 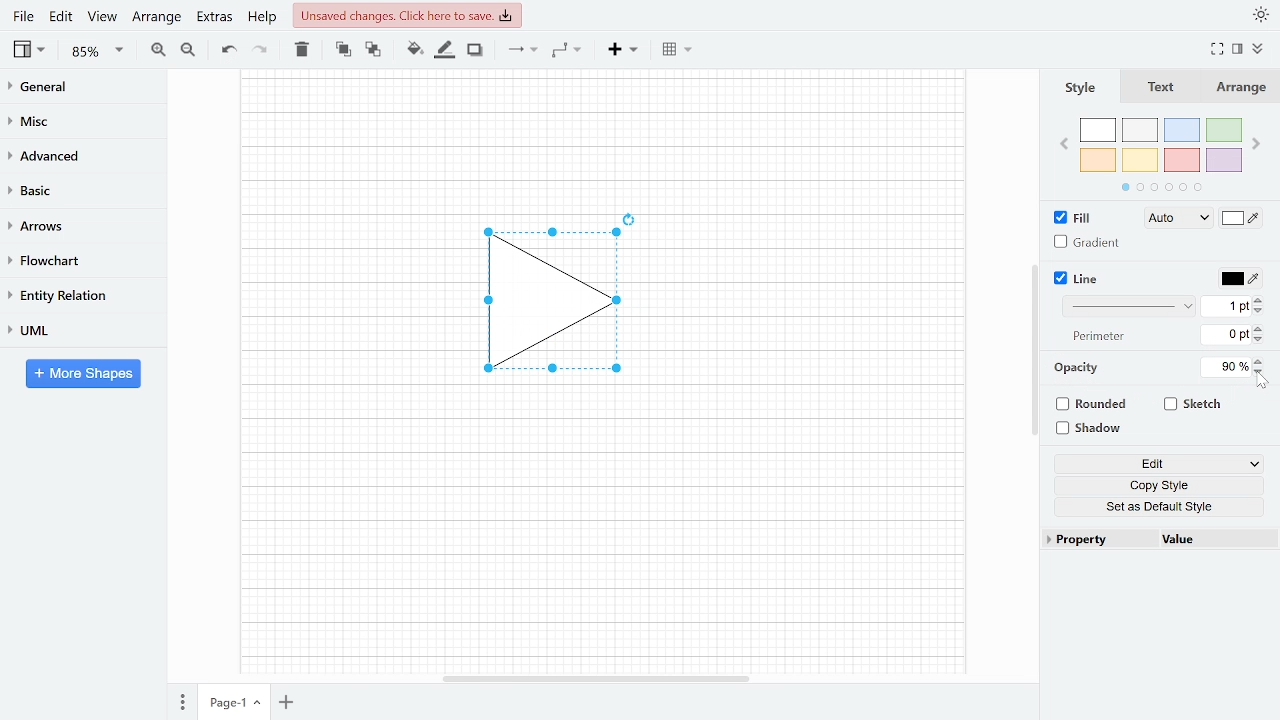 What do you see at coordinates (1260, 341) in the screenshot?
I see `Decrease perimeter` at bounding box center [1260, 341].